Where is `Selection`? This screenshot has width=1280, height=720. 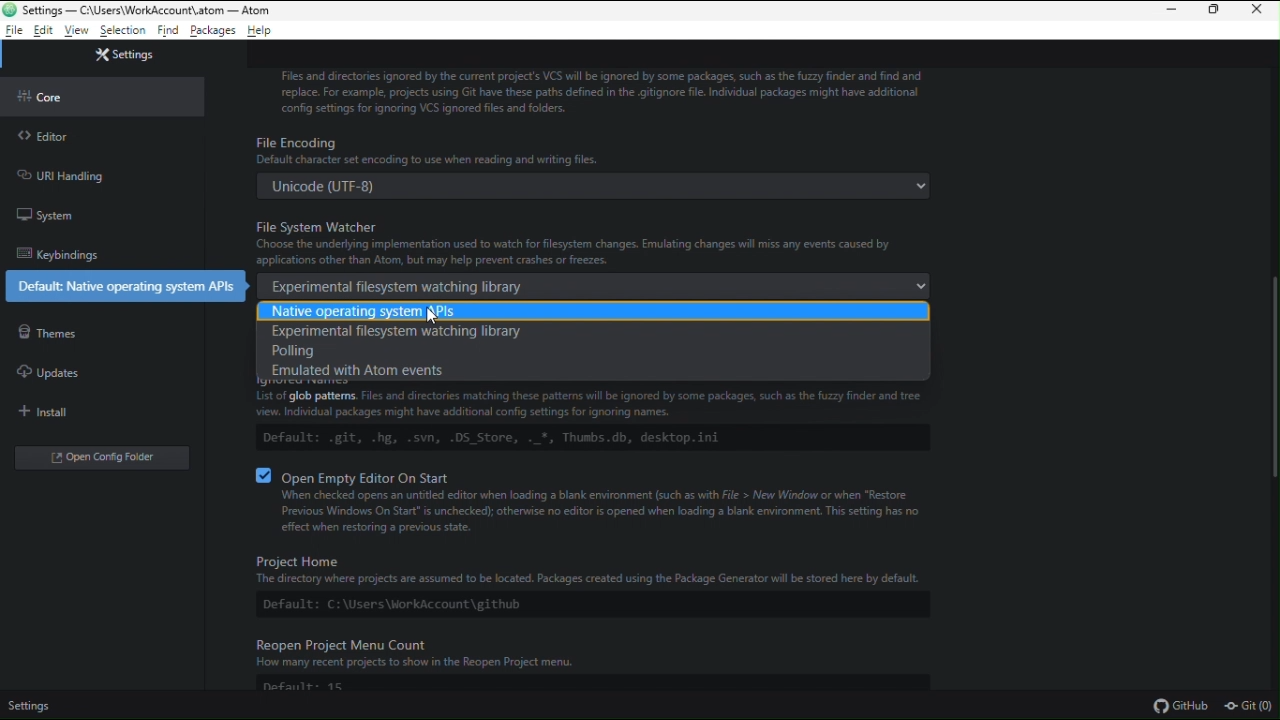 Selection is located at coordinates (123, 32).